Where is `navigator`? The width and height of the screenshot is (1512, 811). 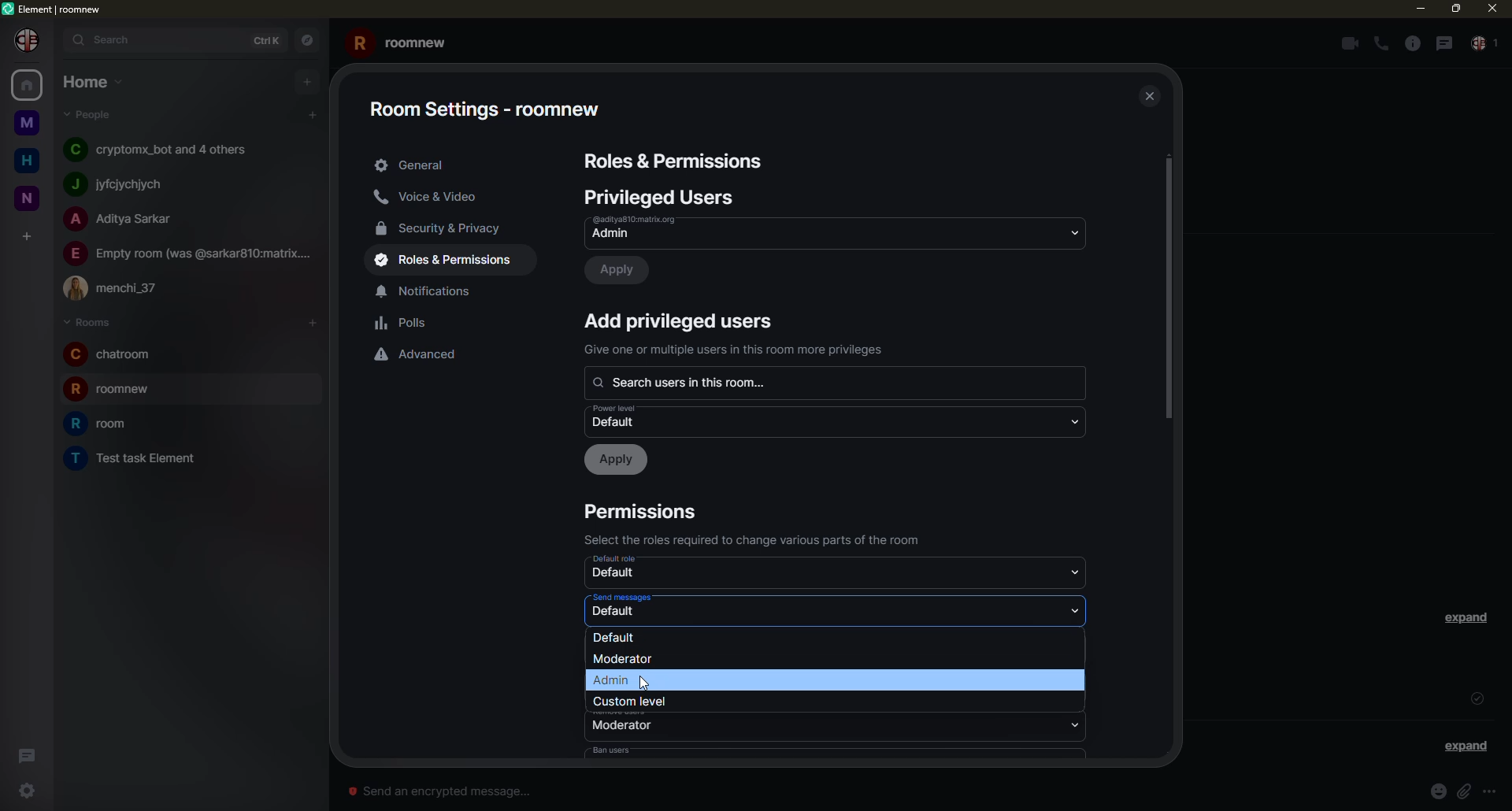
navigator is located at coordinates (309, 39).